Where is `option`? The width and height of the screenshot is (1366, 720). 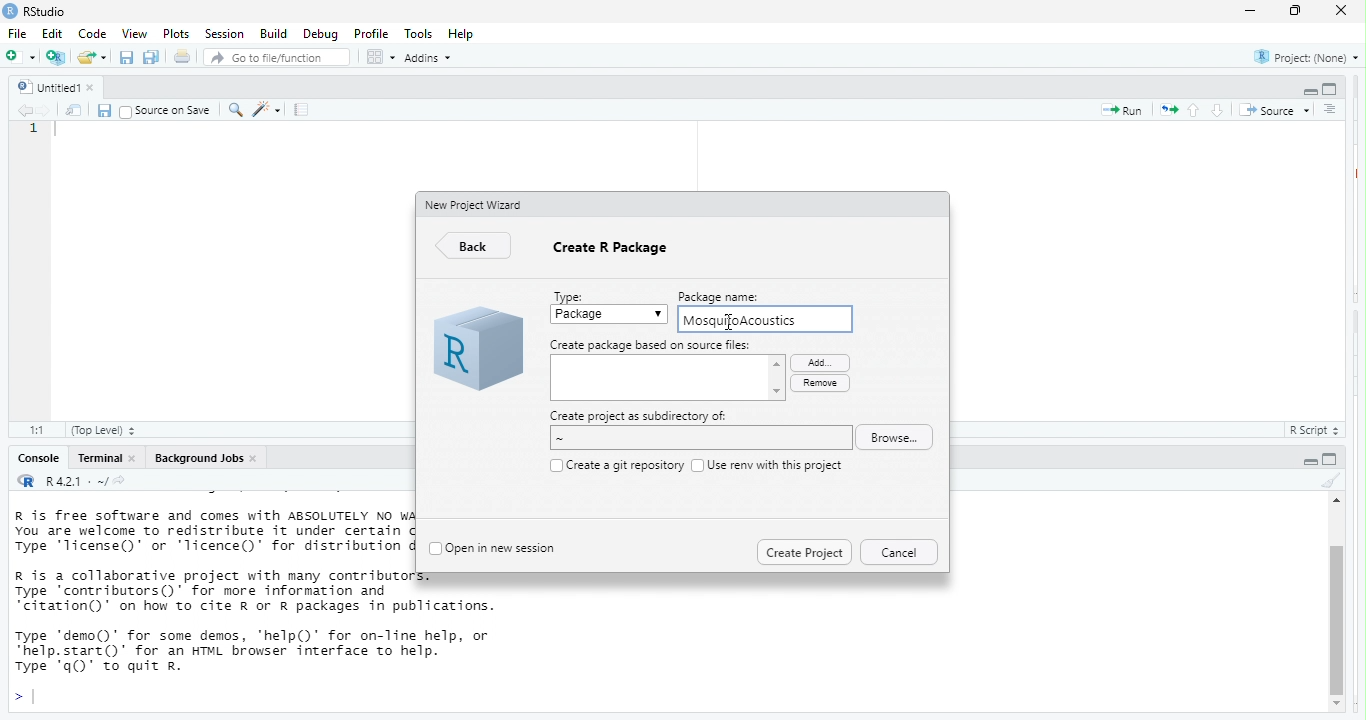
option is located at coordinates (379, 57).